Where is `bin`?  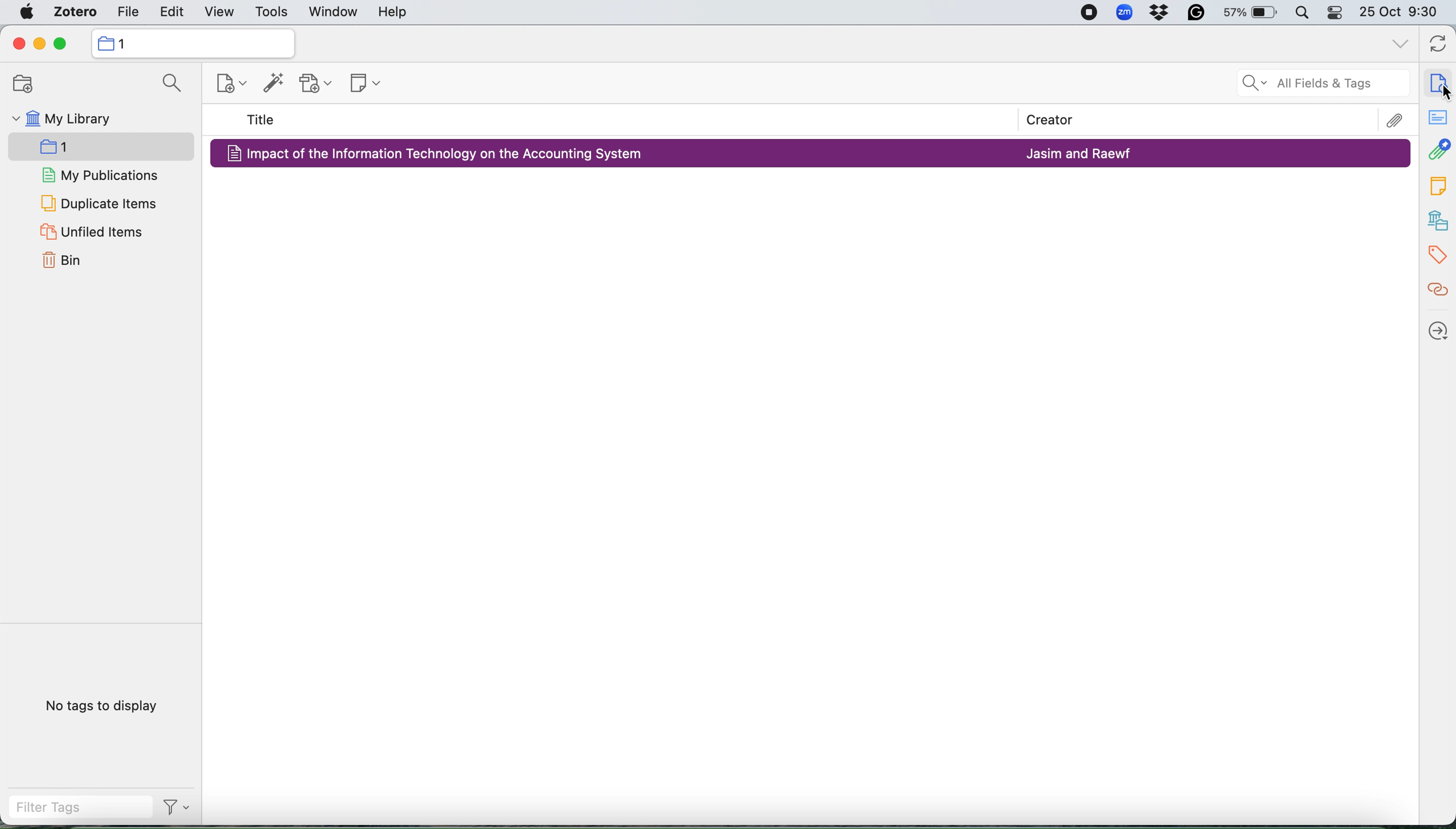
bin is located at coordinates (62, 262).